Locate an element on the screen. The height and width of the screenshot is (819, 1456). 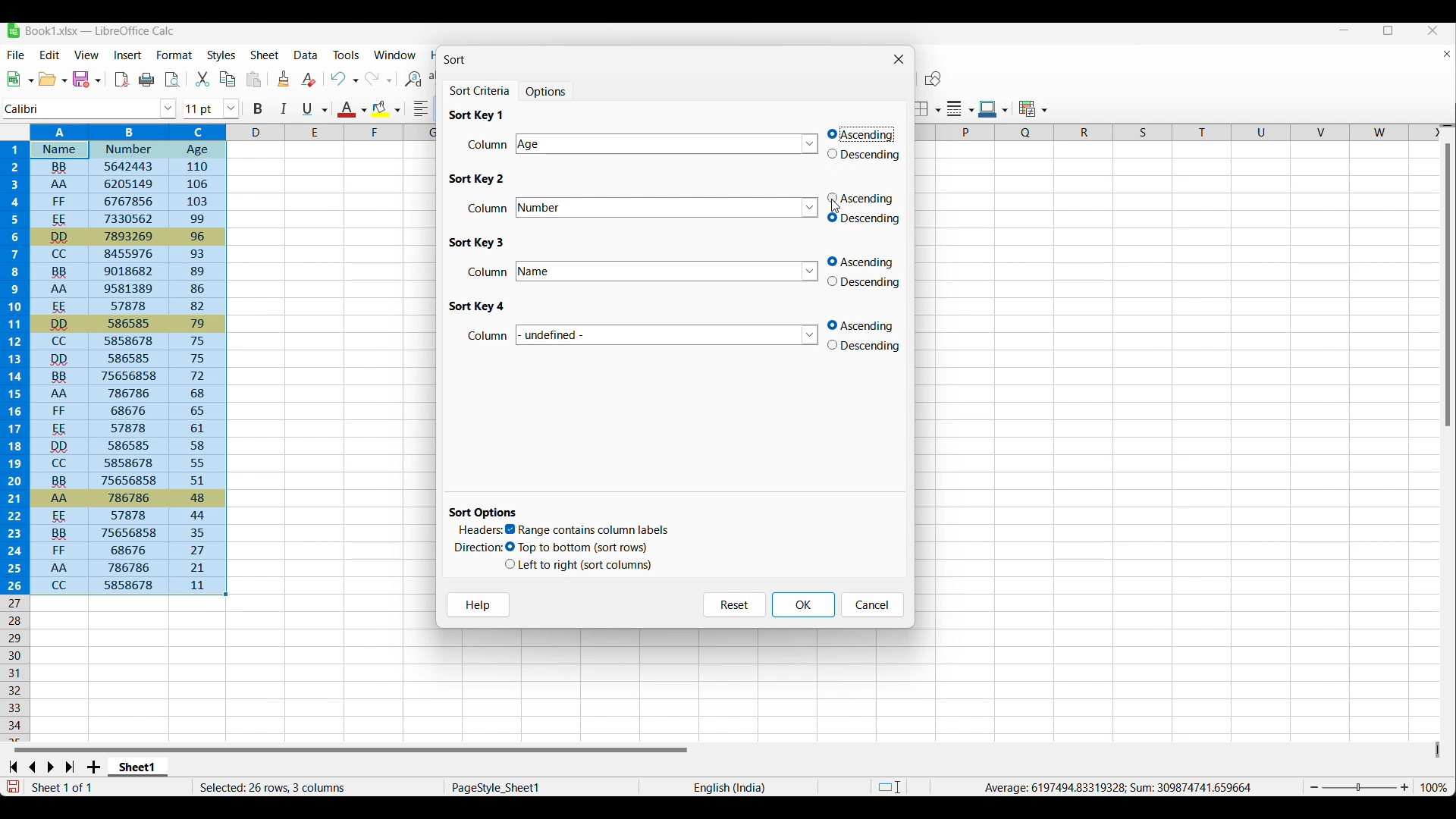
ascending is located at coordinates (863, 198).